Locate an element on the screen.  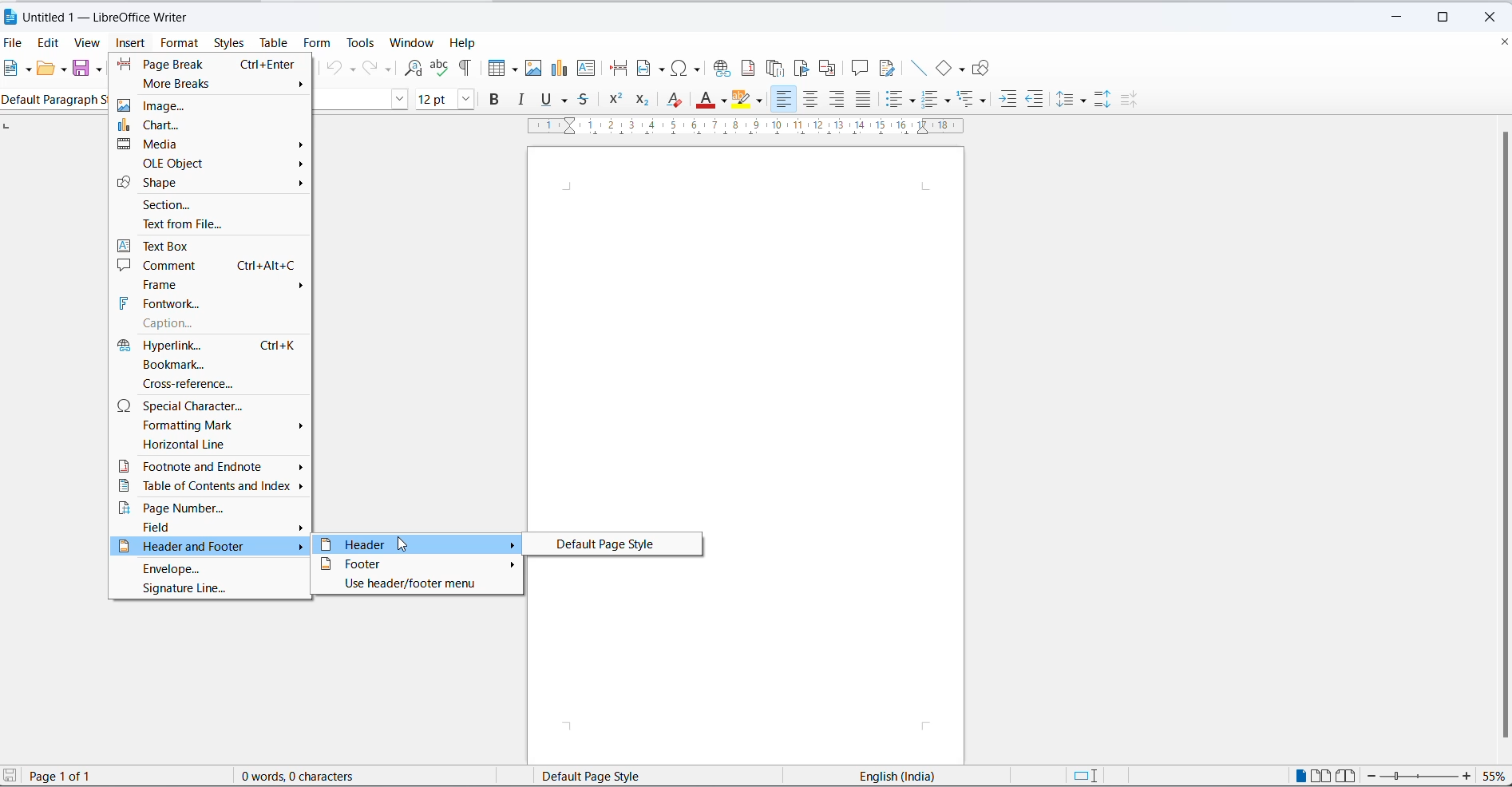
insert cross-reference is located at coordinates (832, 68).